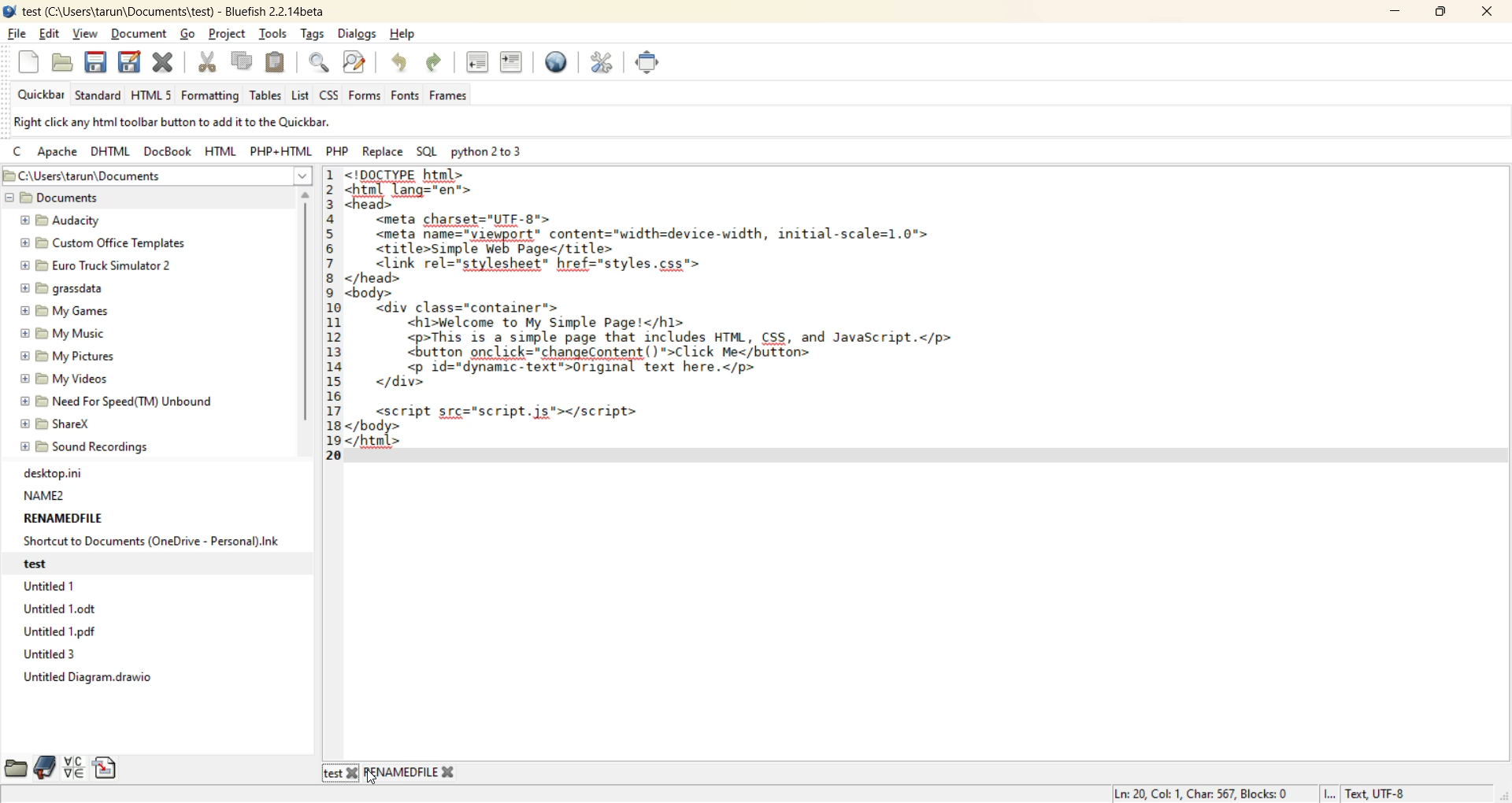  I want to click on desktop.ini, so click(58, 471).